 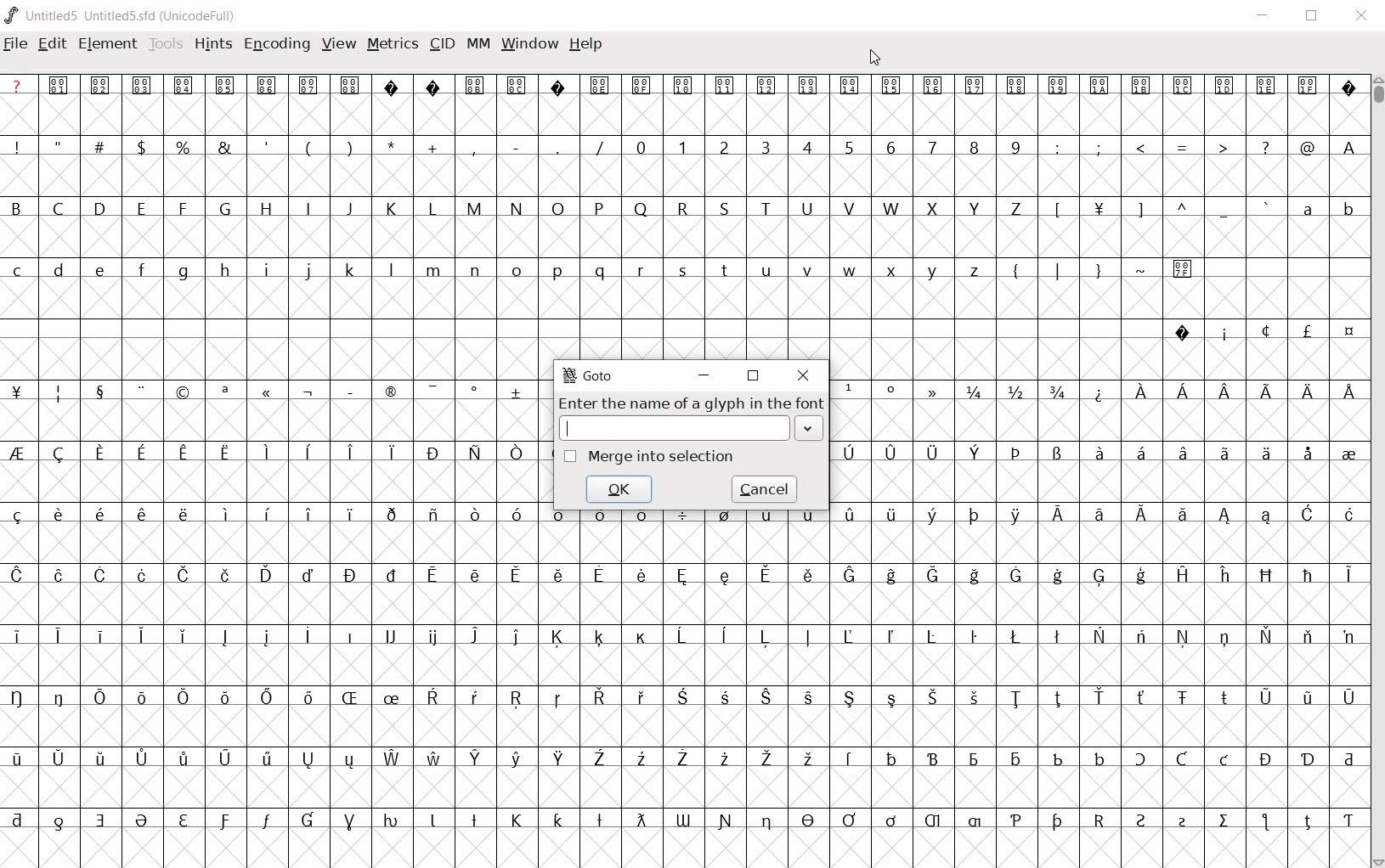 What do you see at coordinates (1058, 638) in the screenshot?
I see `Symbol` at bounding box center [1058, 638].